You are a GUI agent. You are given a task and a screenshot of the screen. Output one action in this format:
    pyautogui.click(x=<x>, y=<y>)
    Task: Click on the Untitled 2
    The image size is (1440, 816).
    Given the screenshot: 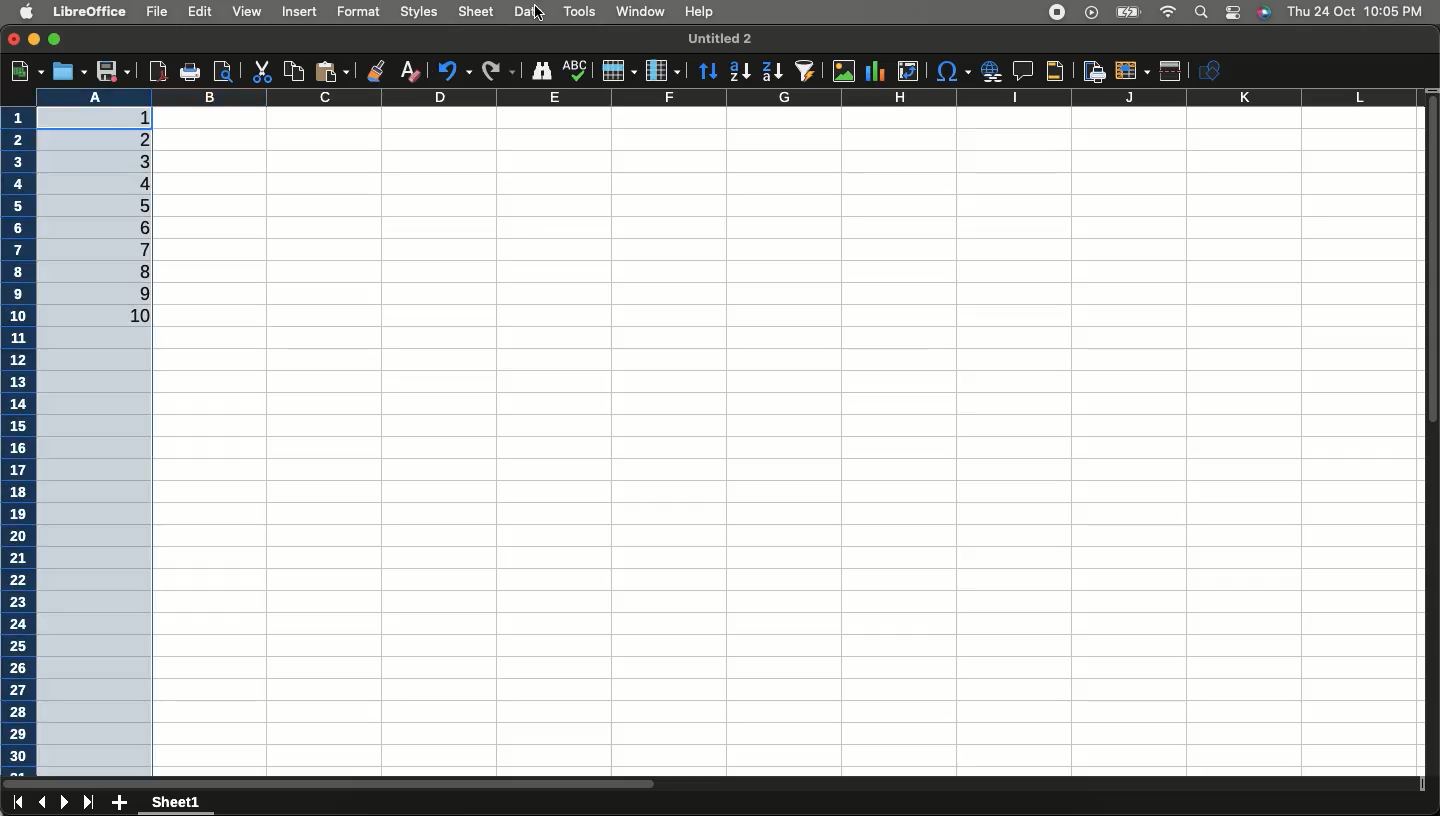 What is the action you would take?
    pyautogui.click(x=717, y=38)
    